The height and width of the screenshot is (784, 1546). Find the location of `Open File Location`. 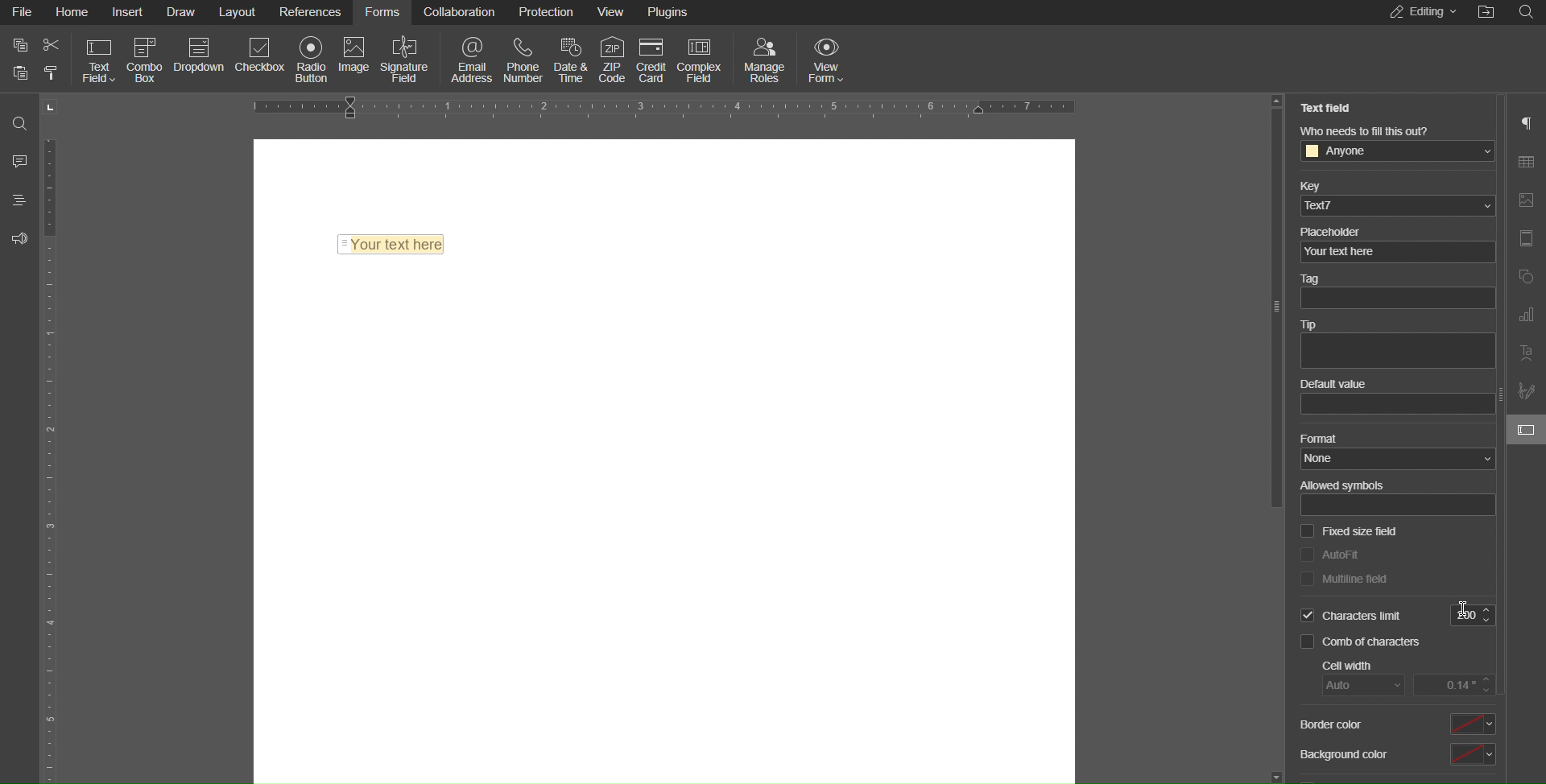

Open File Location is located at coordinates (1487, 13).